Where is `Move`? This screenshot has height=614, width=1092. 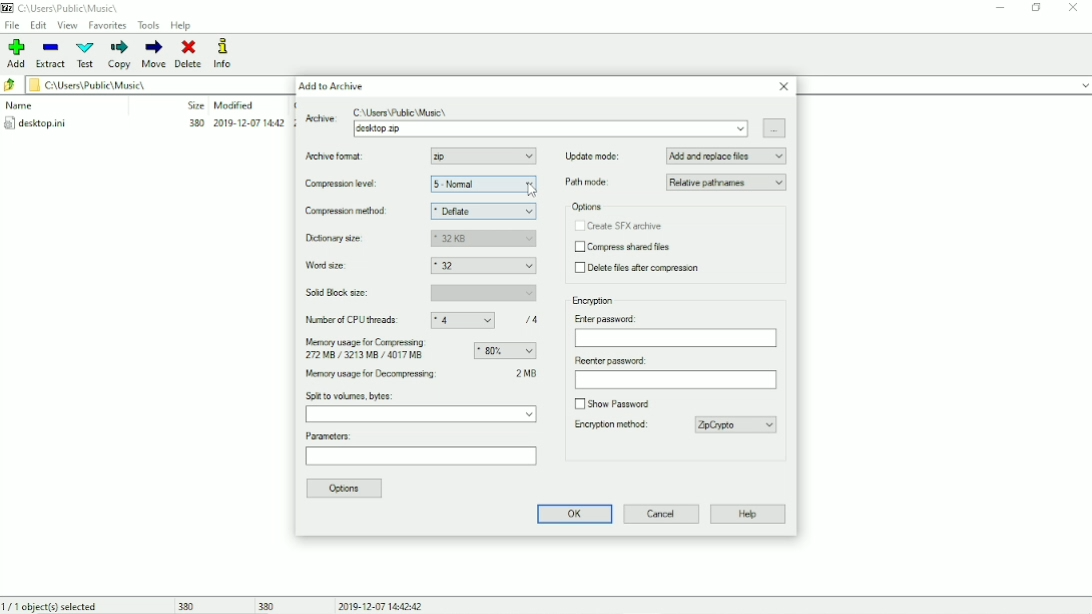 Move is located at coordinates (154, 54).